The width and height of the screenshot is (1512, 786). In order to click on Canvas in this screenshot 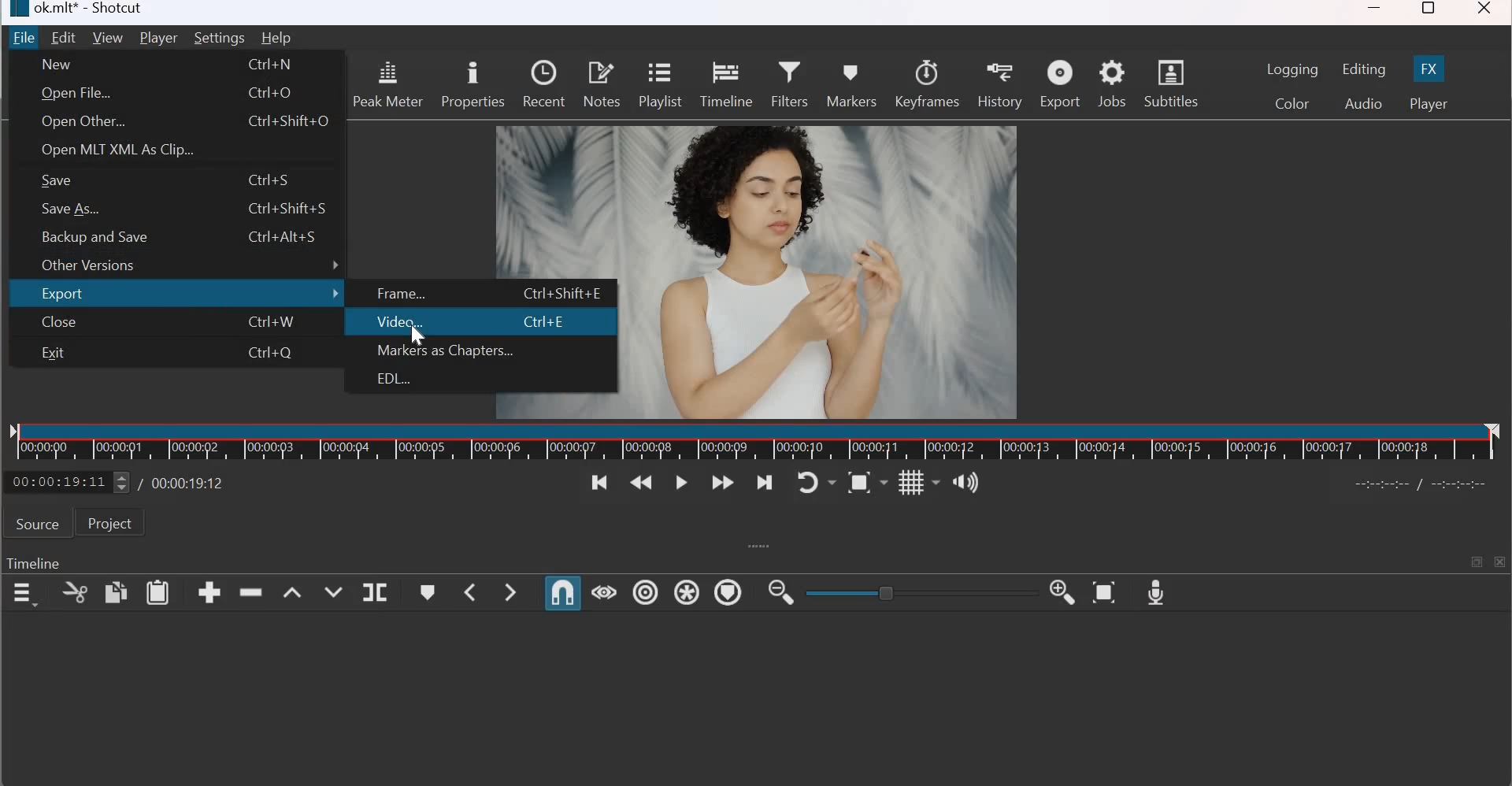, I will do `click(825, 261)`.